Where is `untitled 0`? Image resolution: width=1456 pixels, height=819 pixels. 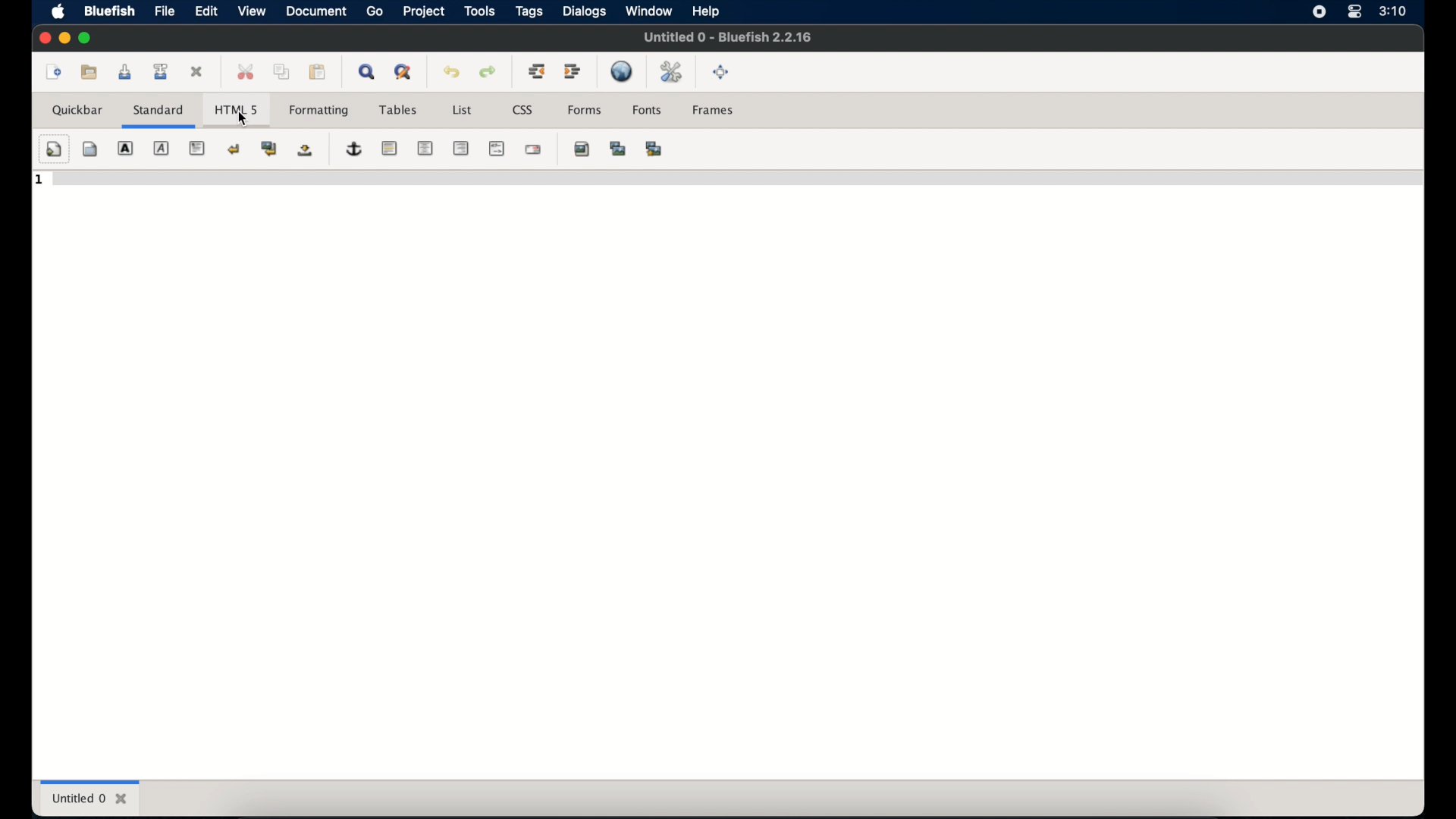
untitled 0 is located at coordinates (90, 798).